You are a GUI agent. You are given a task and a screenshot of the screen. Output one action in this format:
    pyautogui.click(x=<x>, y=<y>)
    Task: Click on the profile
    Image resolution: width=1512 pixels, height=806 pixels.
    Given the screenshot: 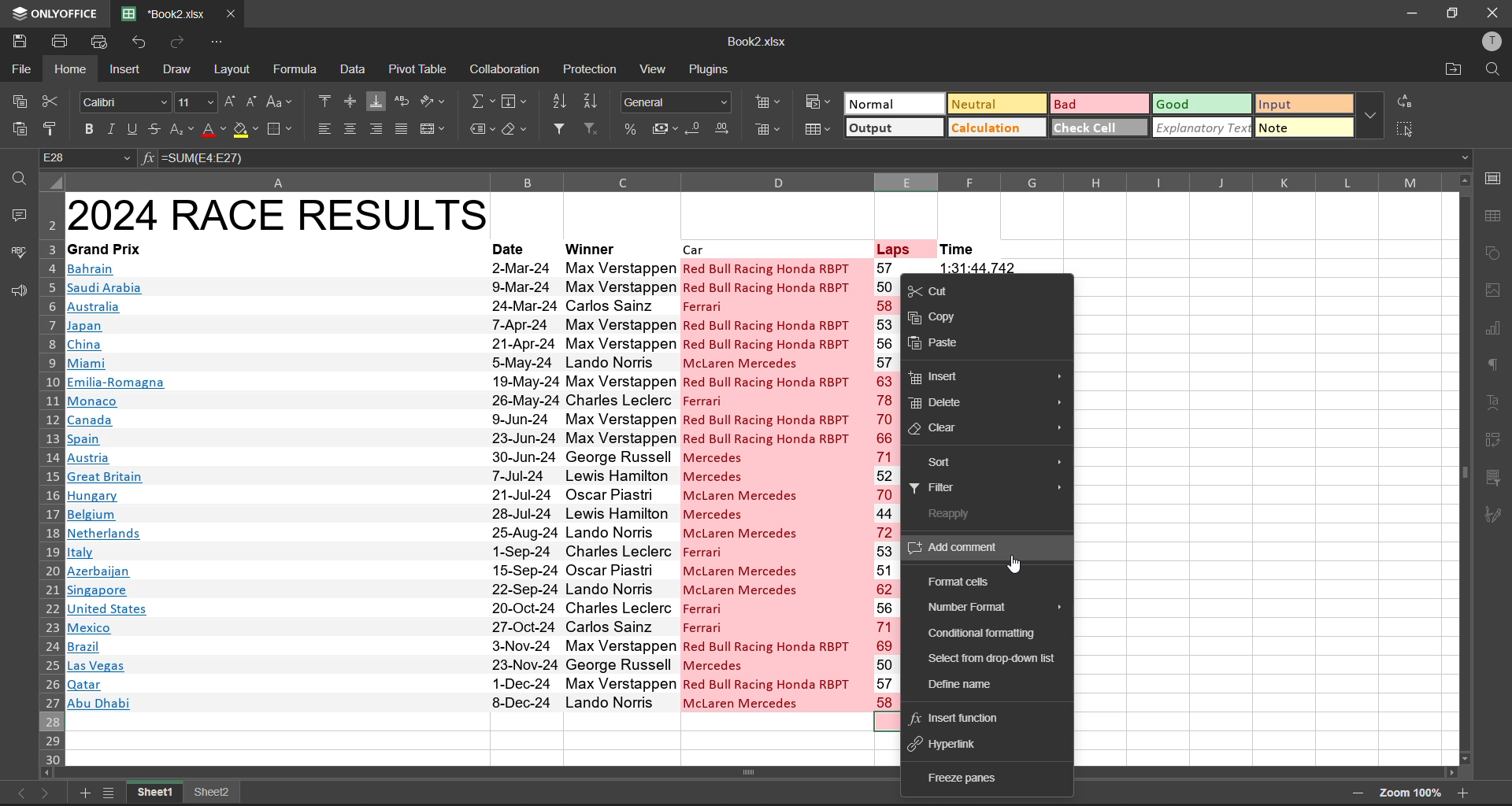 What is the action you would take?
    pyautogui.click(x=1488, y=40)
    